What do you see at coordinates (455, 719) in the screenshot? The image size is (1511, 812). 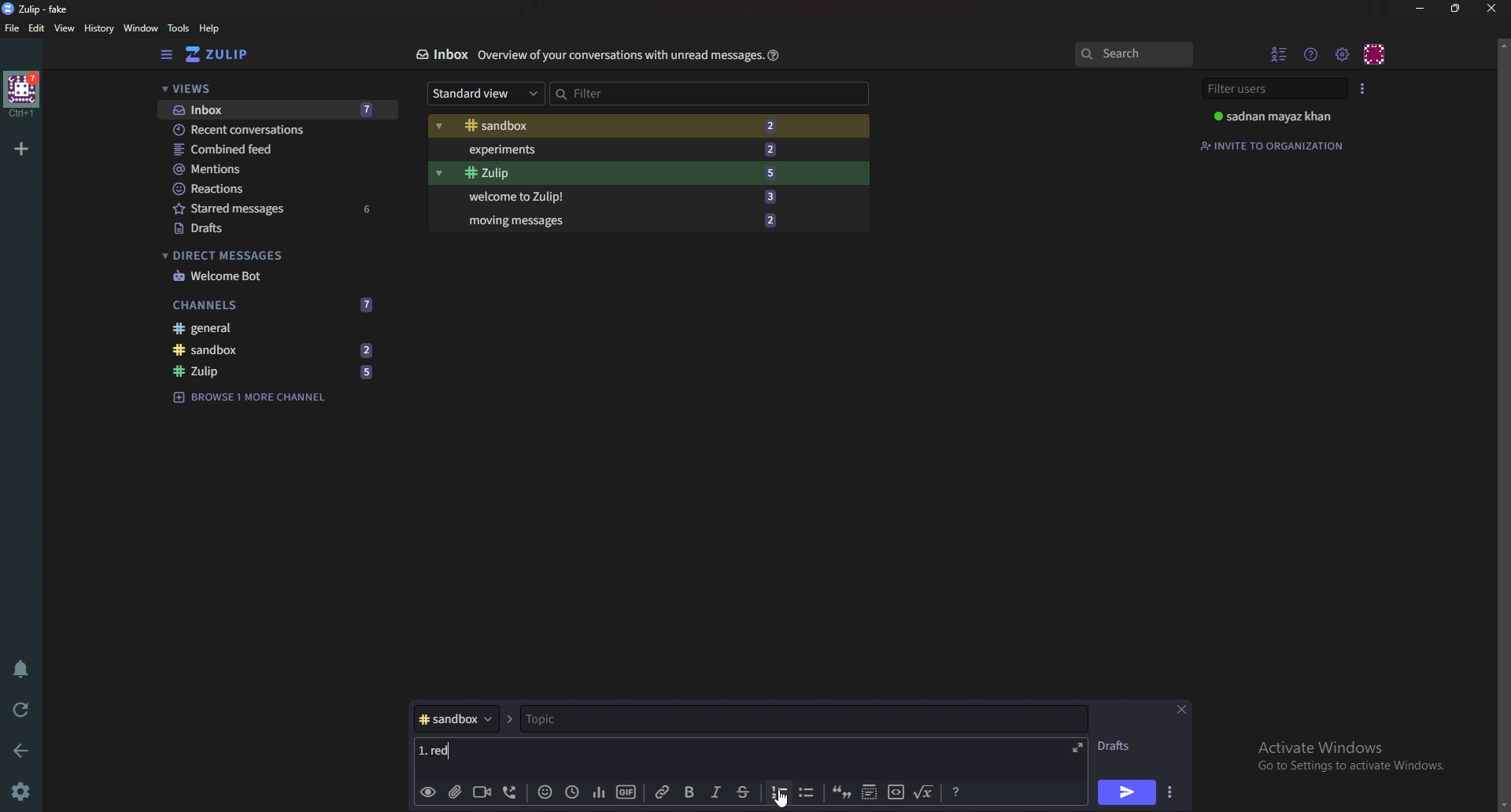 I see `Channel` at bounding box center [455, 719].